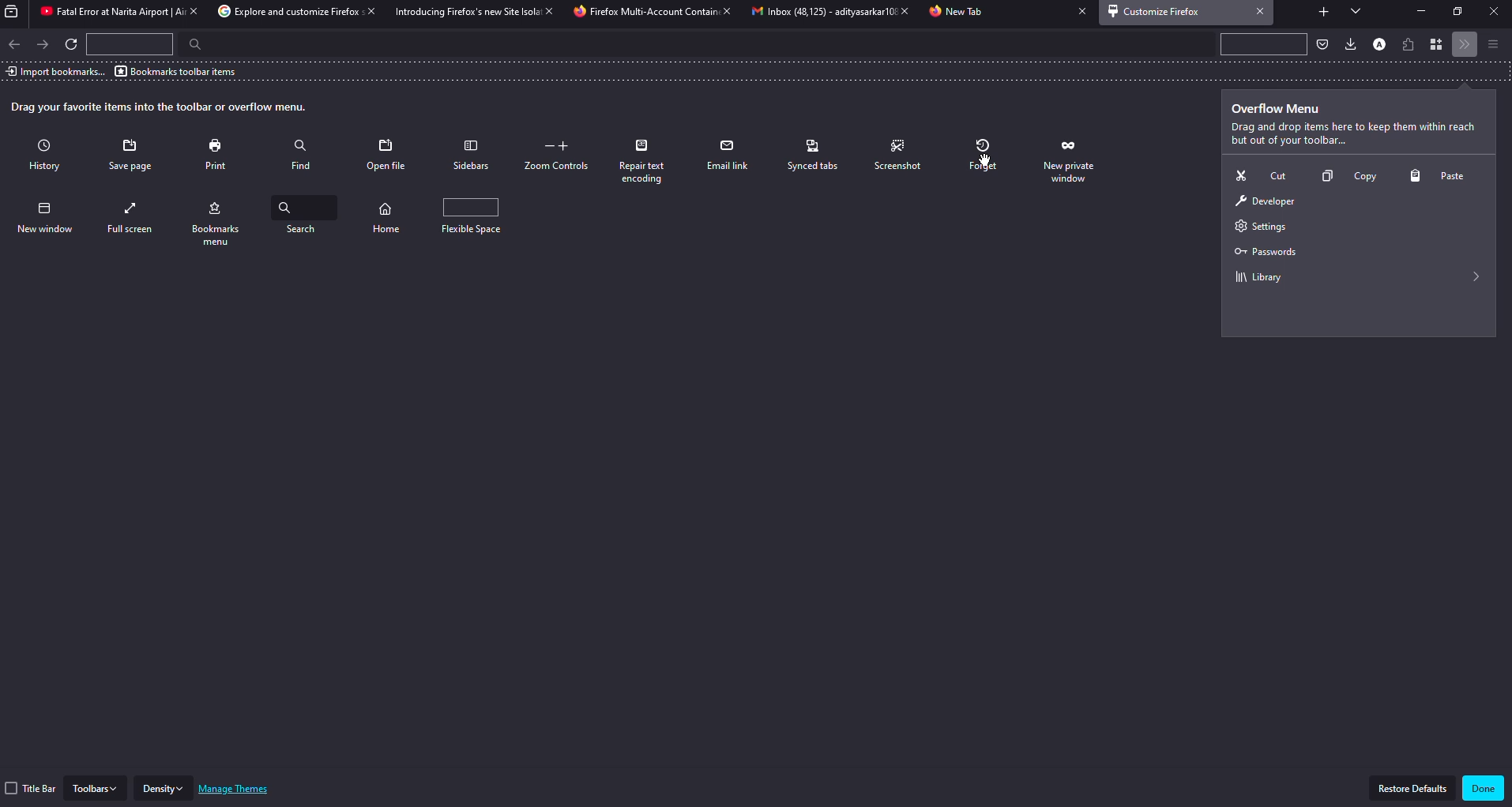 The image size is (1512, 807). I want to click on add, so click(1322, 9).